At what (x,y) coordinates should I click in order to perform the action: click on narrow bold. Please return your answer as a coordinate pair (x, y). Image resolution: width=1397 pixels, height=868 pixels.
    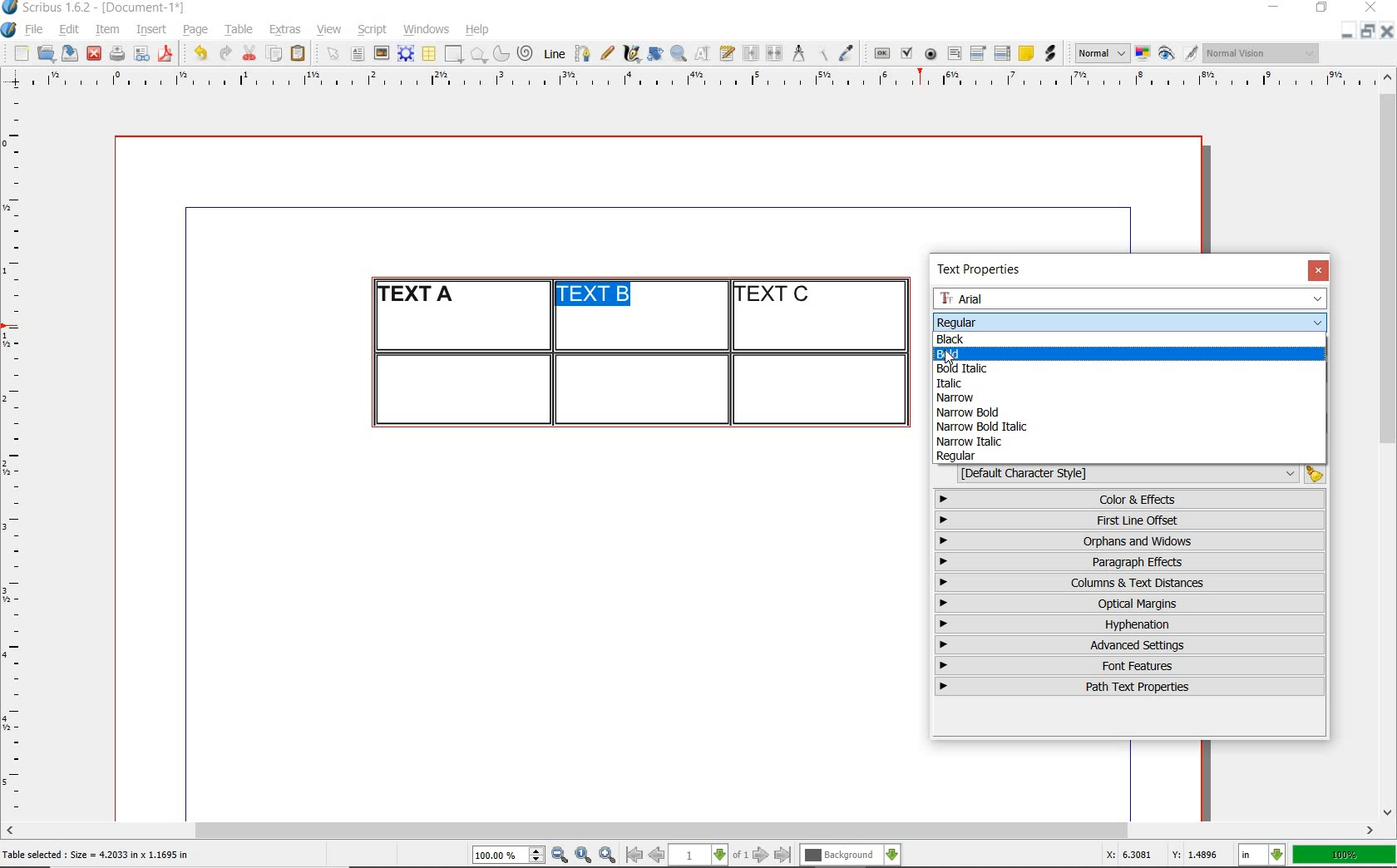
    Looking at the image, I should click on (970, 412).